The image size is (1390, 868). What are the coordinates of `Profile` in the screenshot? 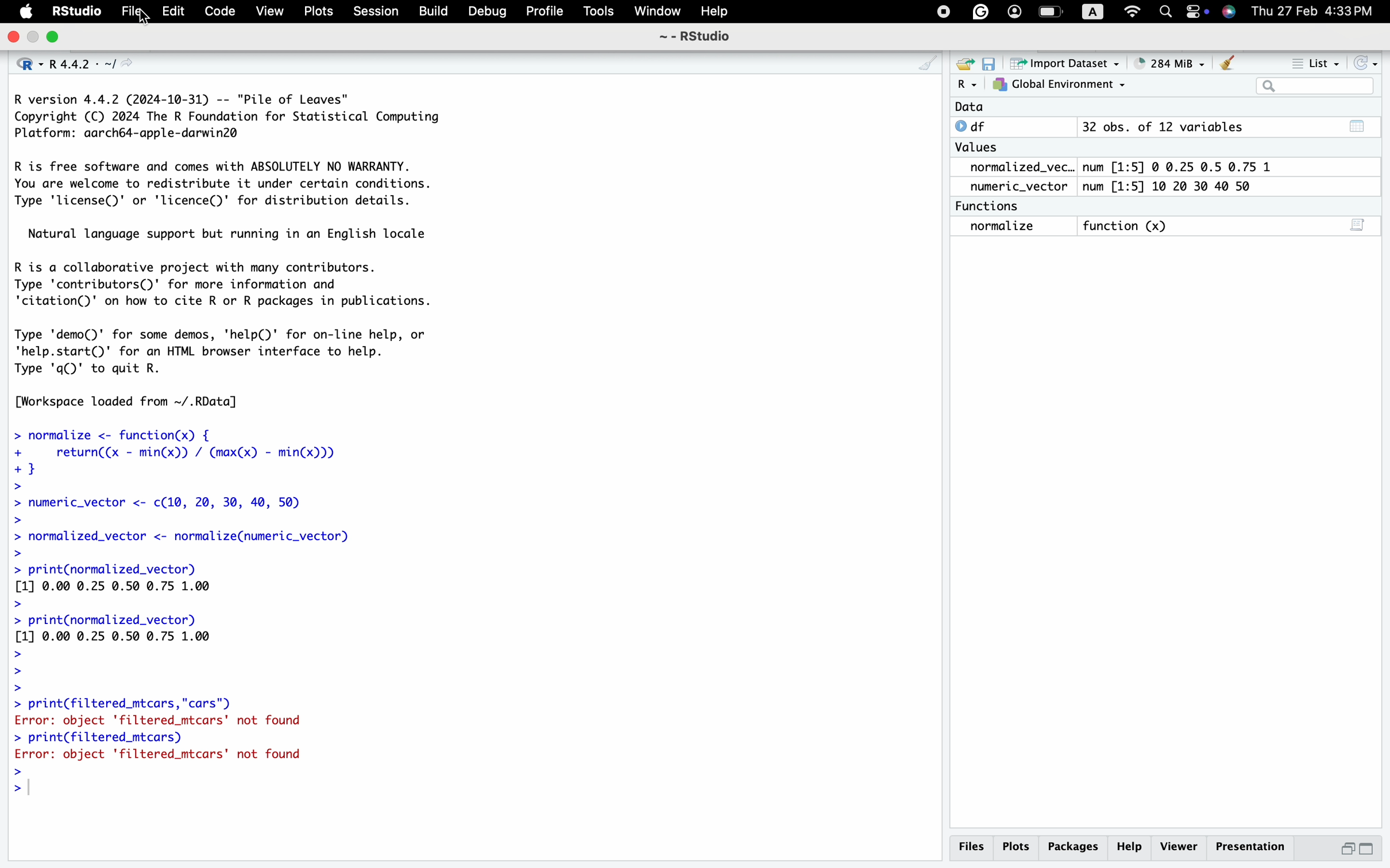 It's located at (545, 11).